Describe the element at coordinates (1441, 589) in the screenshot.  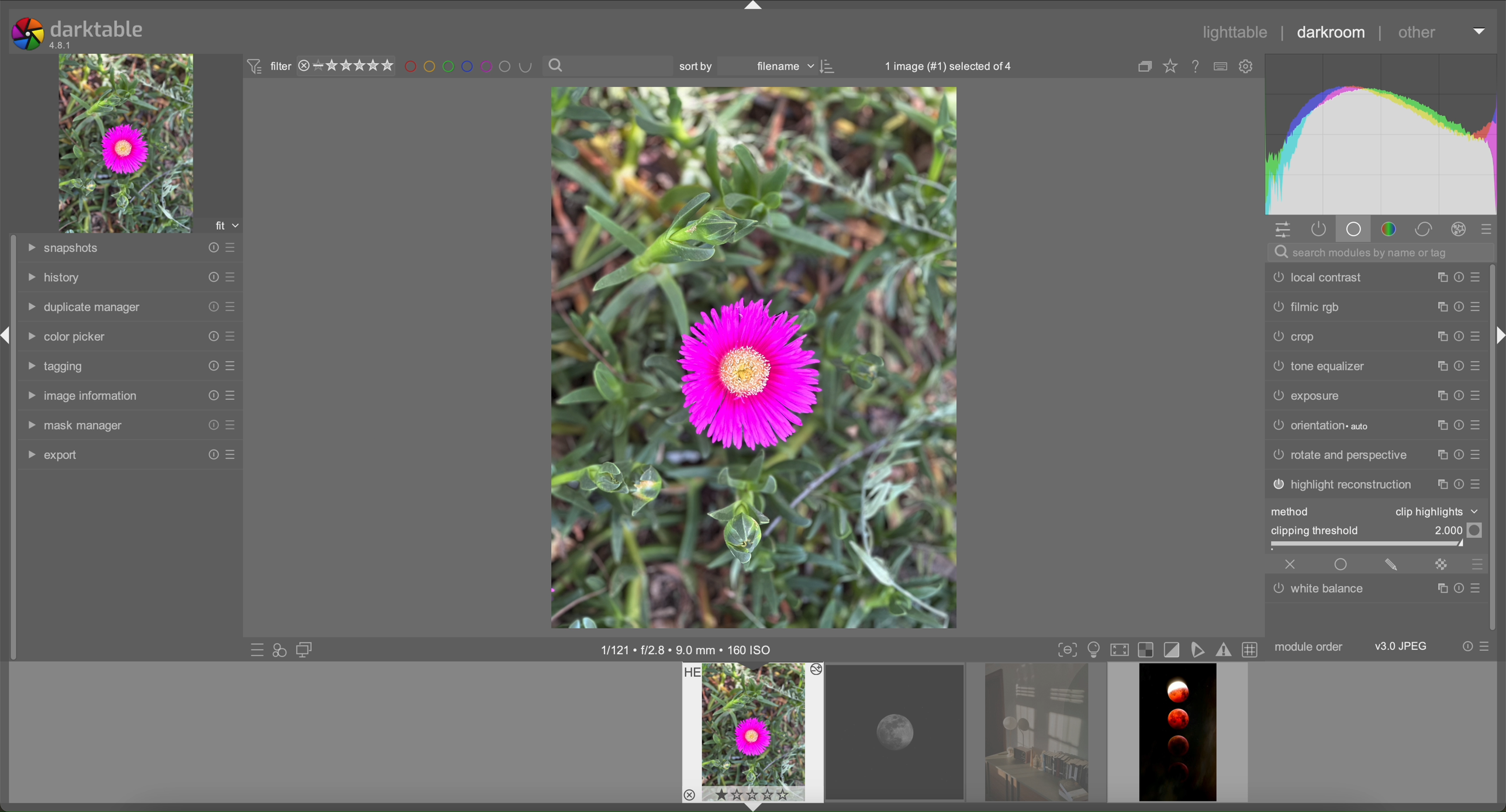
I see `copy` at that location.